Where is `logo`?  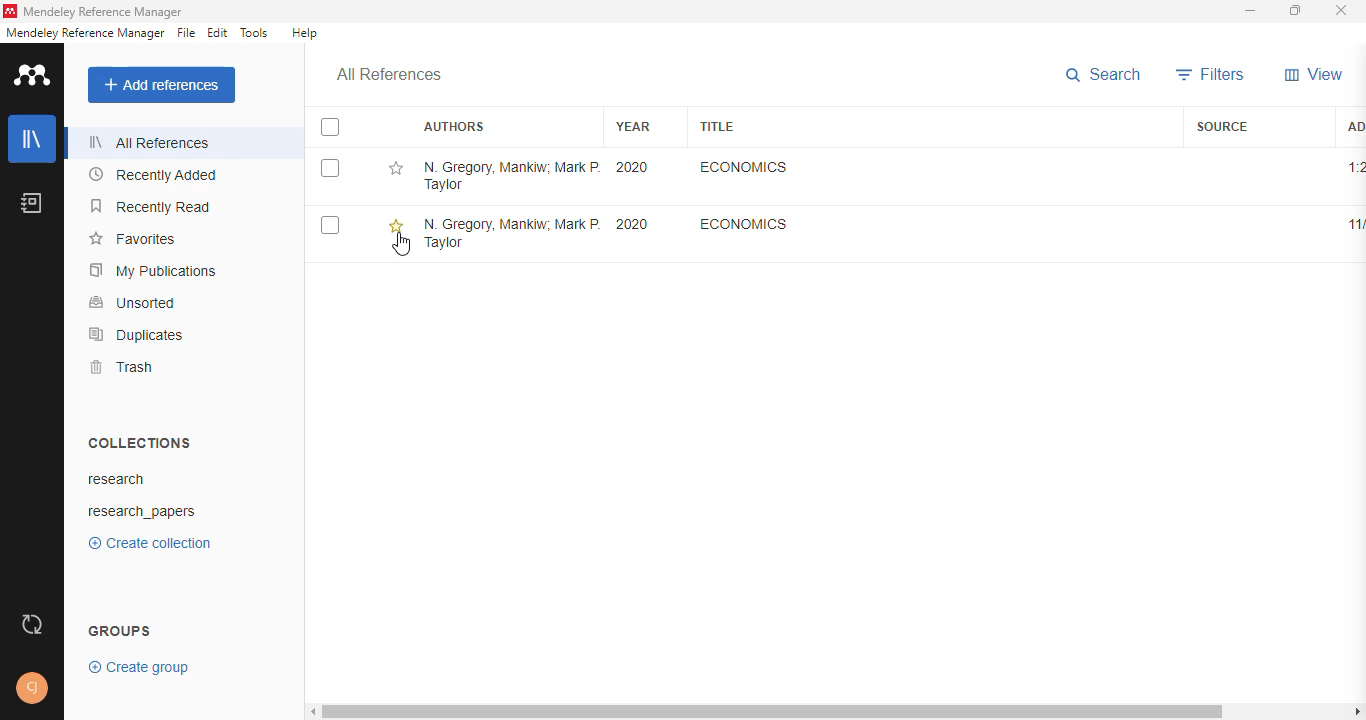
logo is located at coordinates (32, 75).